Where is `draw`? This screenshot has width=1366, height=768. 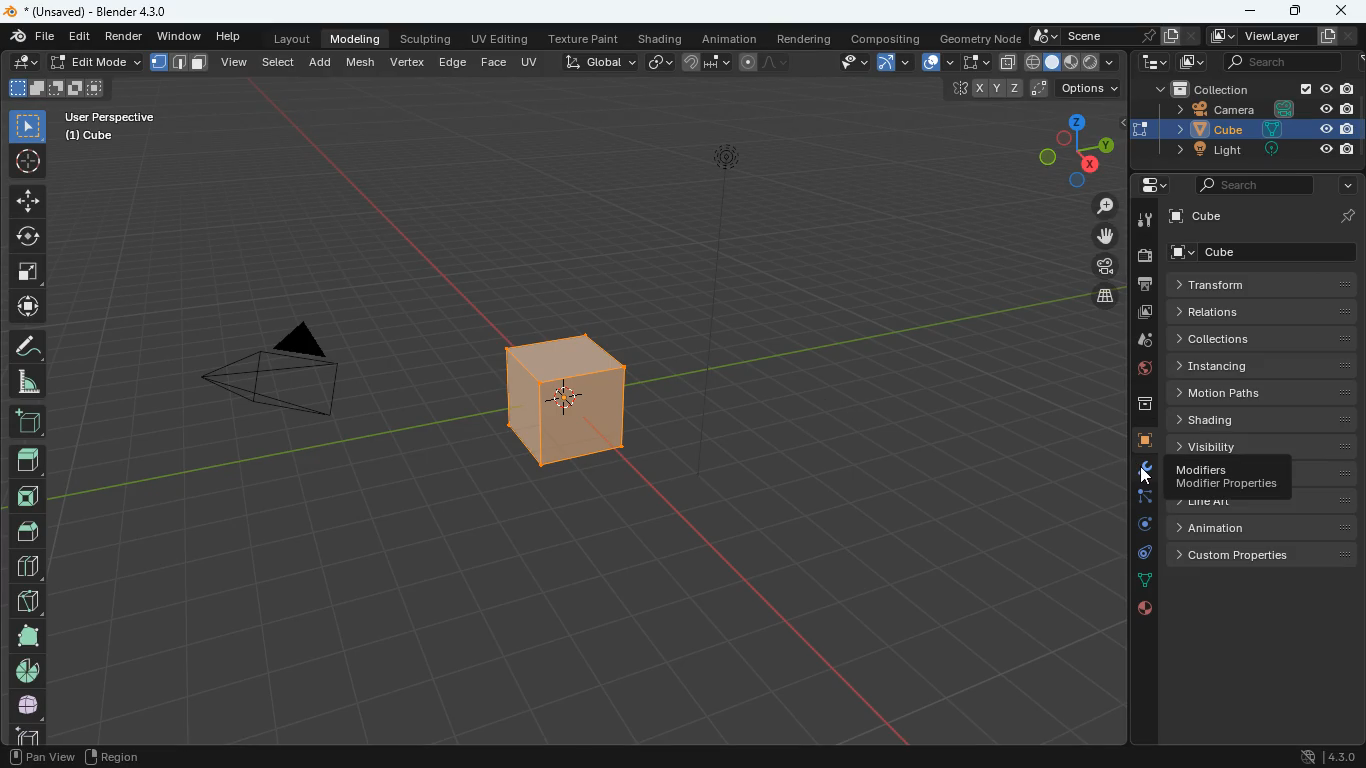
draw is located at coordinates (766, 62).